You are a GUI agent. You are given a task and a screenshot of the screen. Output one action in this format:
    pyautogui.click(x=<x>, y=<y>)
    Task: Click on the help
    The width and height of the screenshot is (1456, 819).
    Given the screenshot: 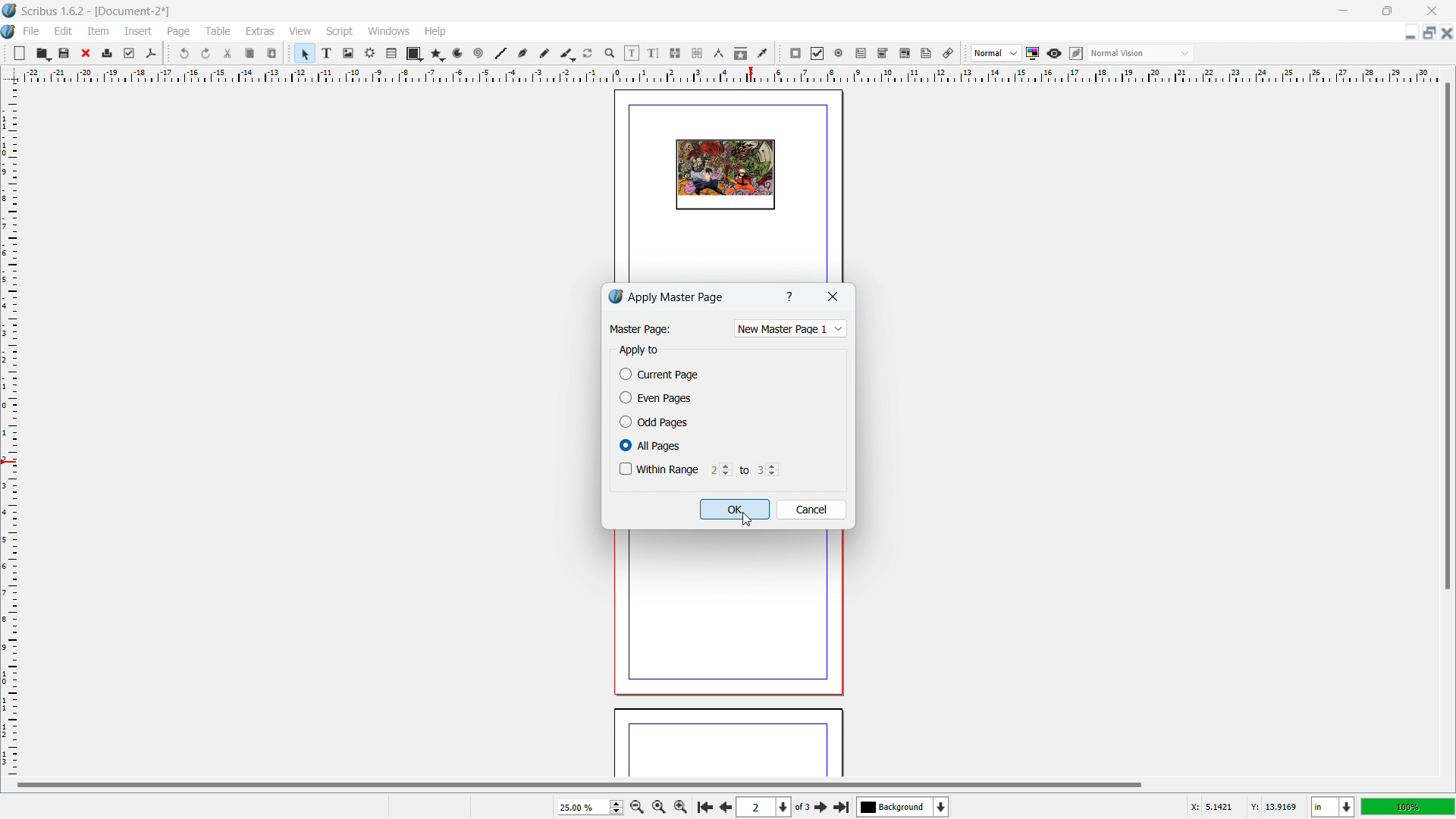 What is the action you would take?
    pyautogui.click(x=791, y=297)
    